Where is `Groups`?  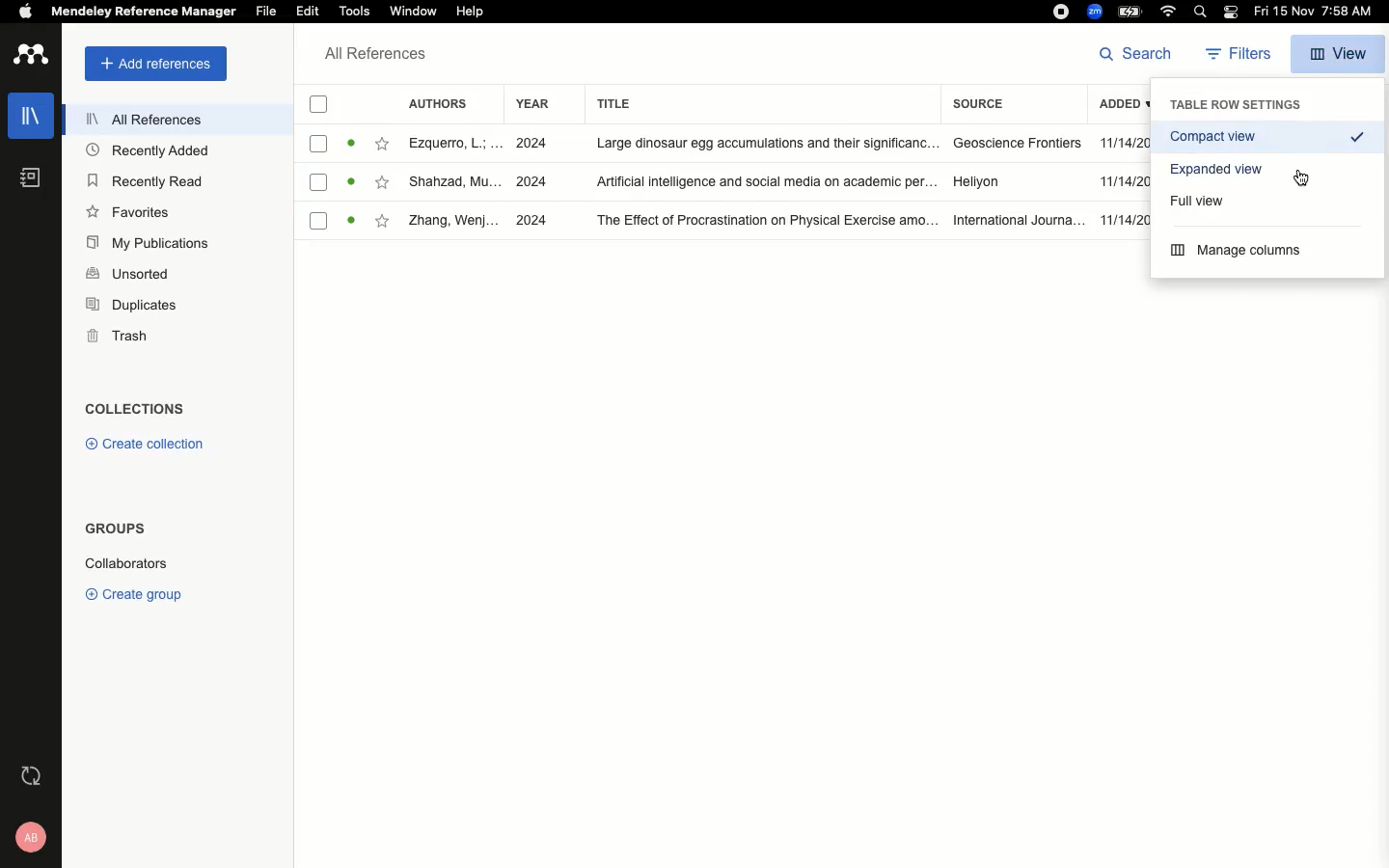
Groups is located at coordinates (112, 532).